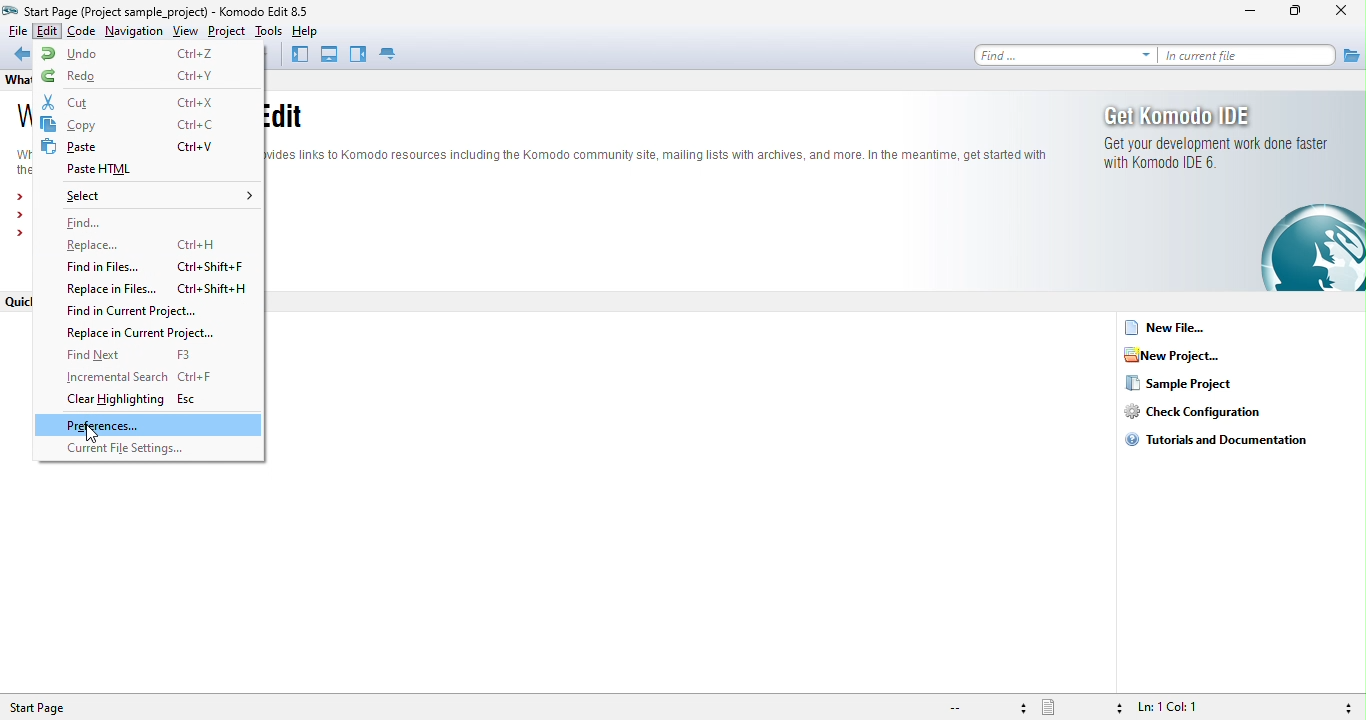  What do you see at coordinates (1228, 439) in the screenshot?
I see `tutorials and documentation` at bounding box center [1228, 439].